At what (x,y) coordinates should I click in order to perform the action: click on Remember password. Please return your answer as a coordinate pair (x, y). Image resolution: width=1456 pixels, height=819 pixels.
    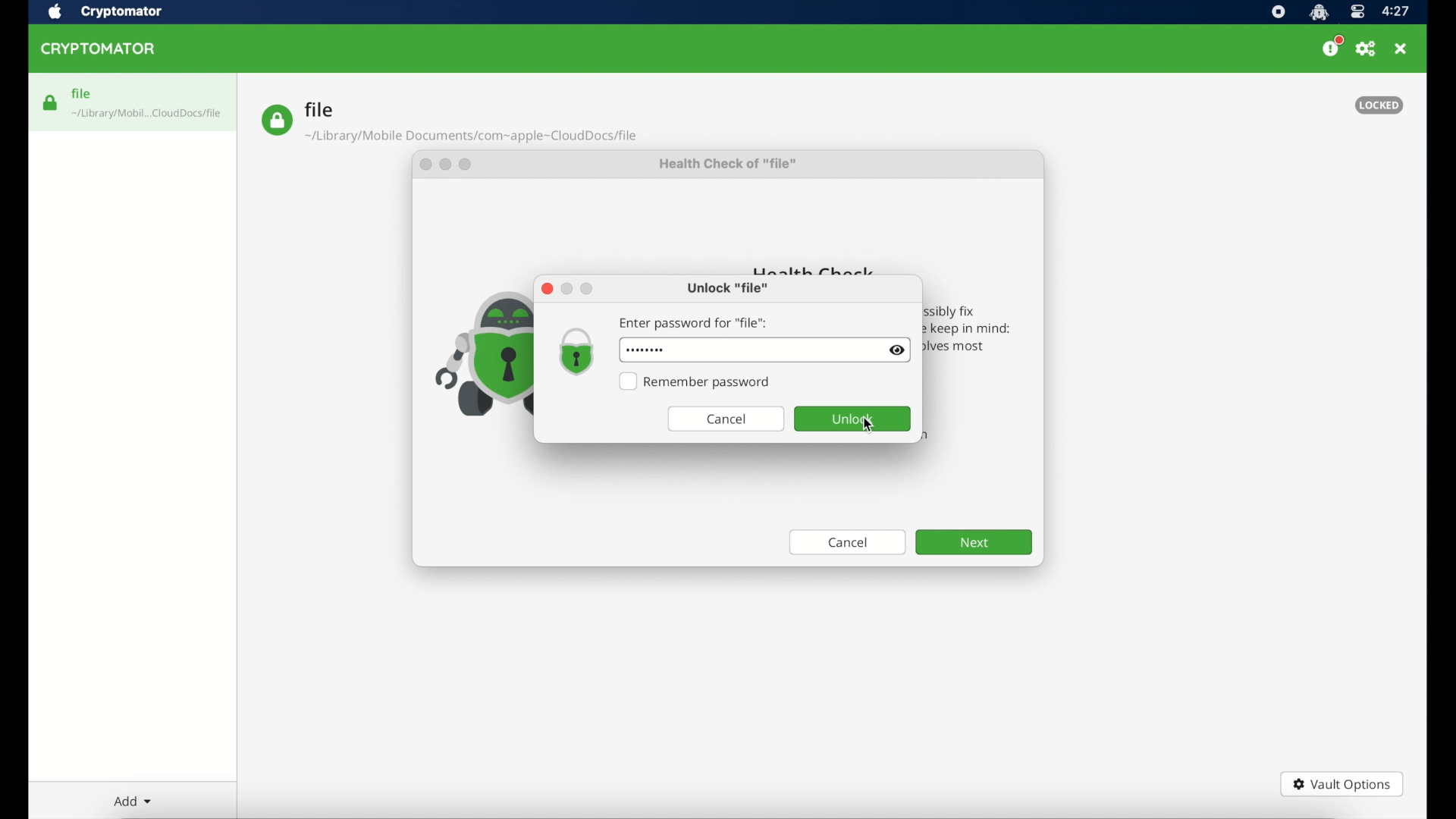
    Looking at the image, I should click on (696, 382).